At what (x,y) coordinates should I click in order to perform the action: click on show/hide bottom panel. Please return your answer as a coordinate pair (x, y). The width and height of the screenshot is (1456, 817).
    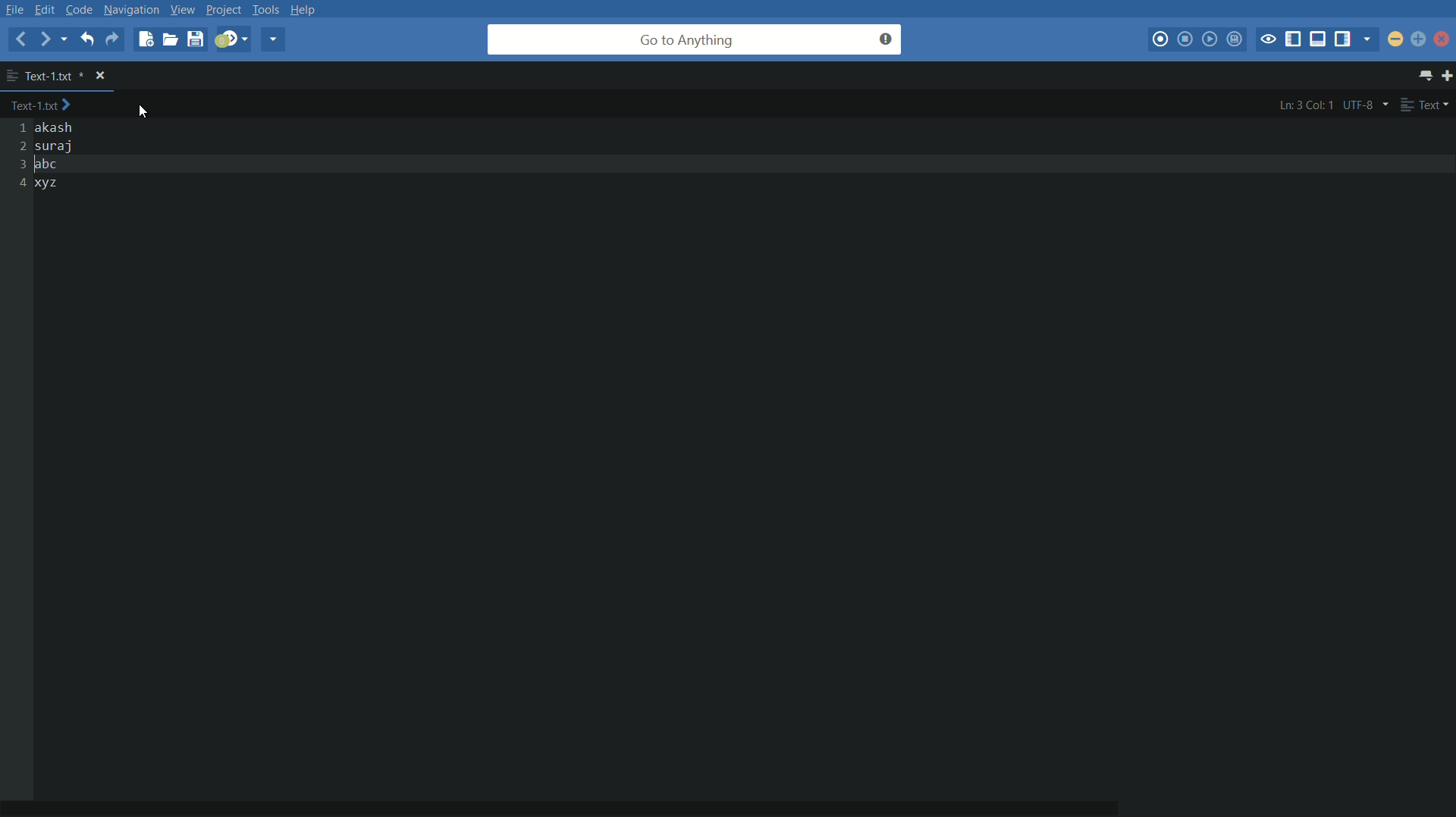
    Looking at the image, I should click on (1319, 39).